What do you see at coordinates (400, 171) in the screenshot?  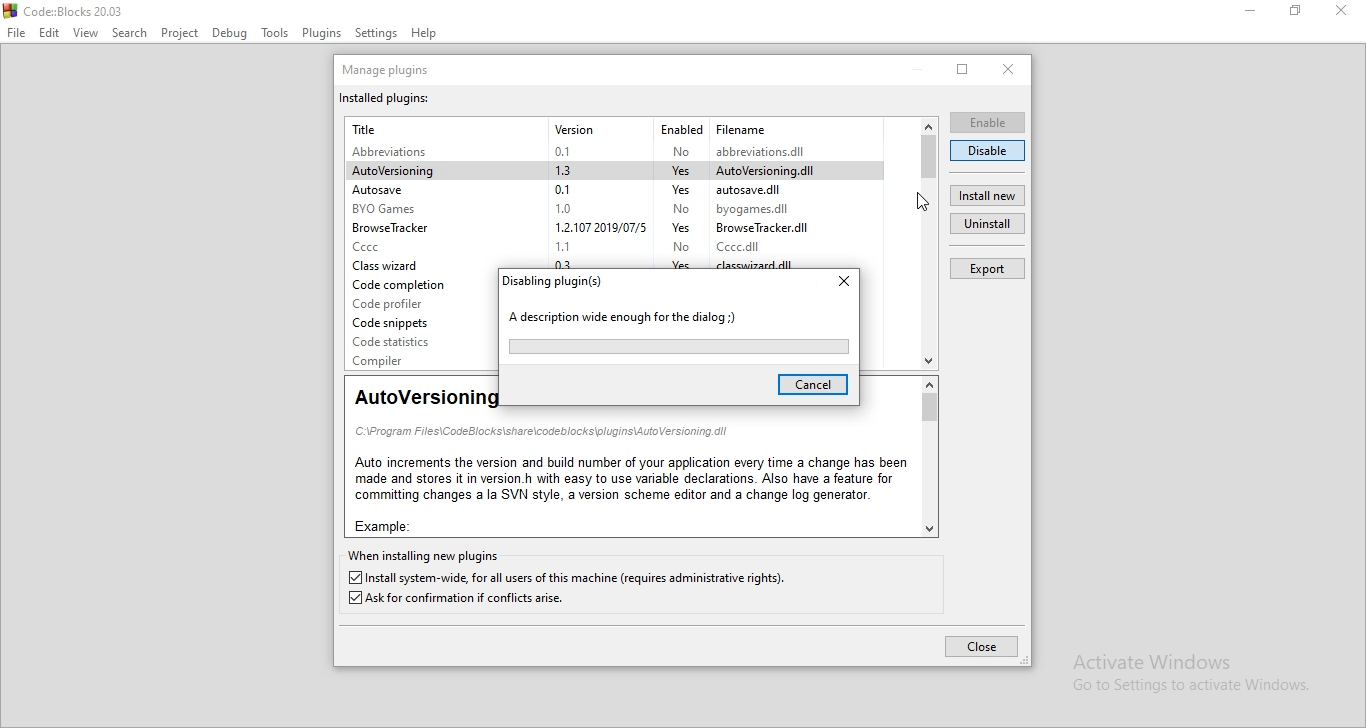 I see `AutoVersioning` at bounding box center [400, 171].